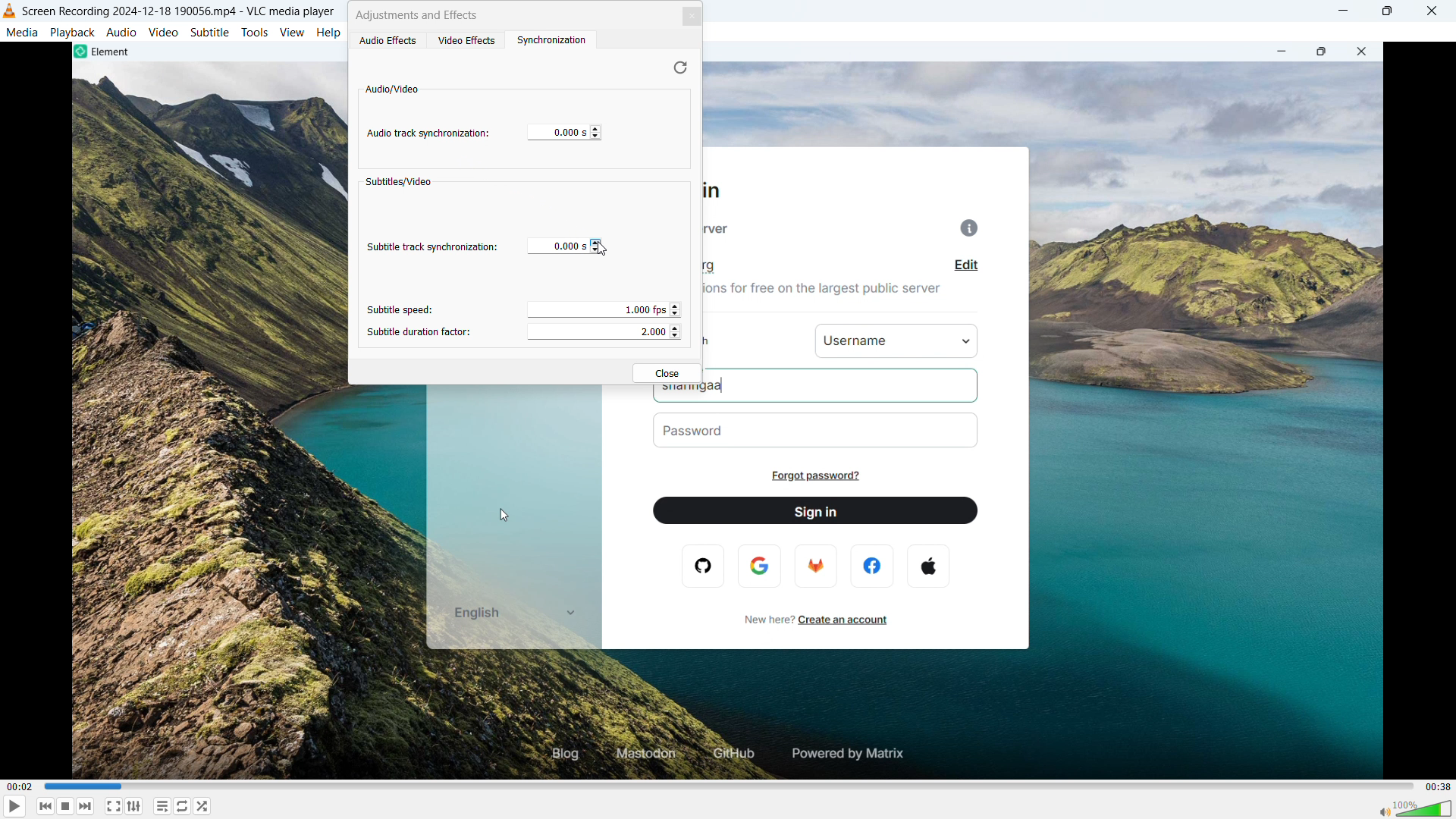 The image size is (1456, 819). What do you see at coordinates (927, 566) in the screenshot?
I see `apple logo` at bounding box center [927, 566].